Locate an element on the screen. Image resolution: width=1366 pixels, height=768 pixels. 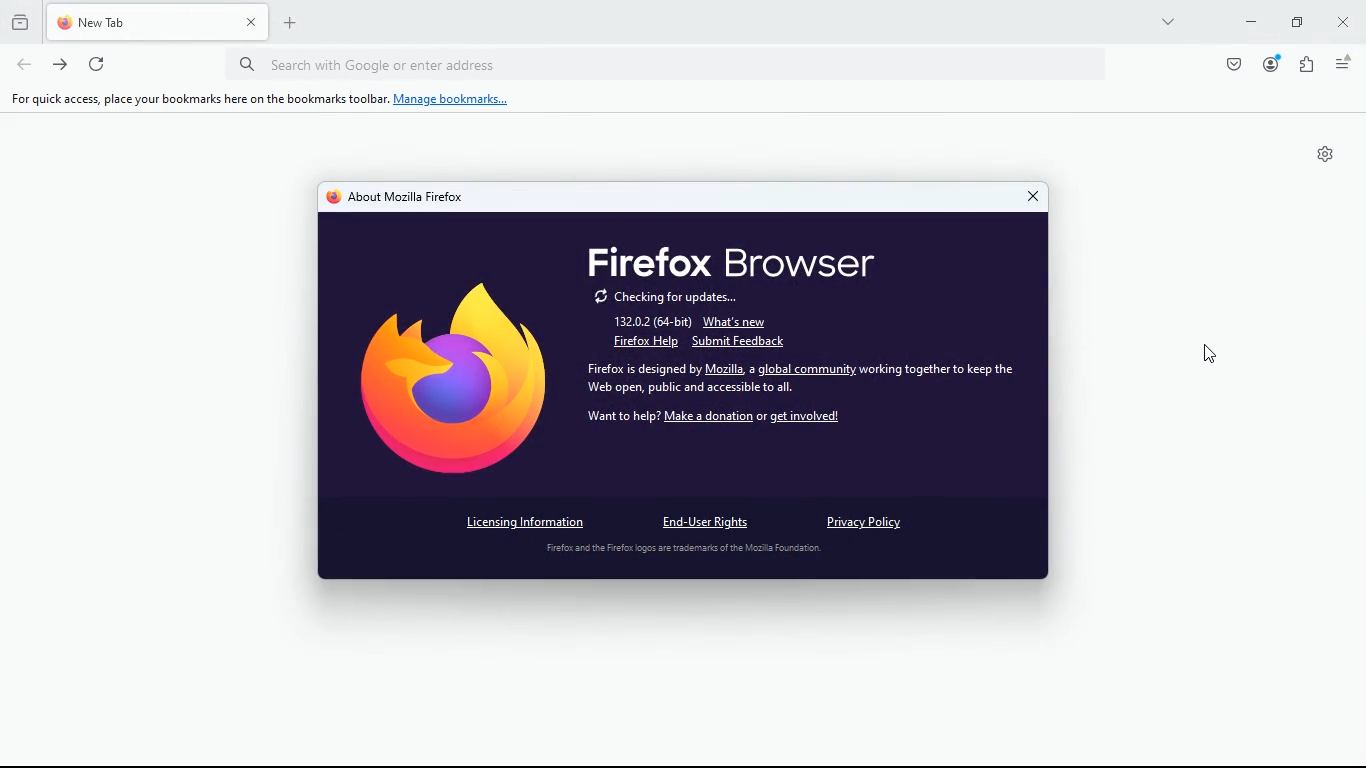
firefox Logo is located at coordinates (449, 375).